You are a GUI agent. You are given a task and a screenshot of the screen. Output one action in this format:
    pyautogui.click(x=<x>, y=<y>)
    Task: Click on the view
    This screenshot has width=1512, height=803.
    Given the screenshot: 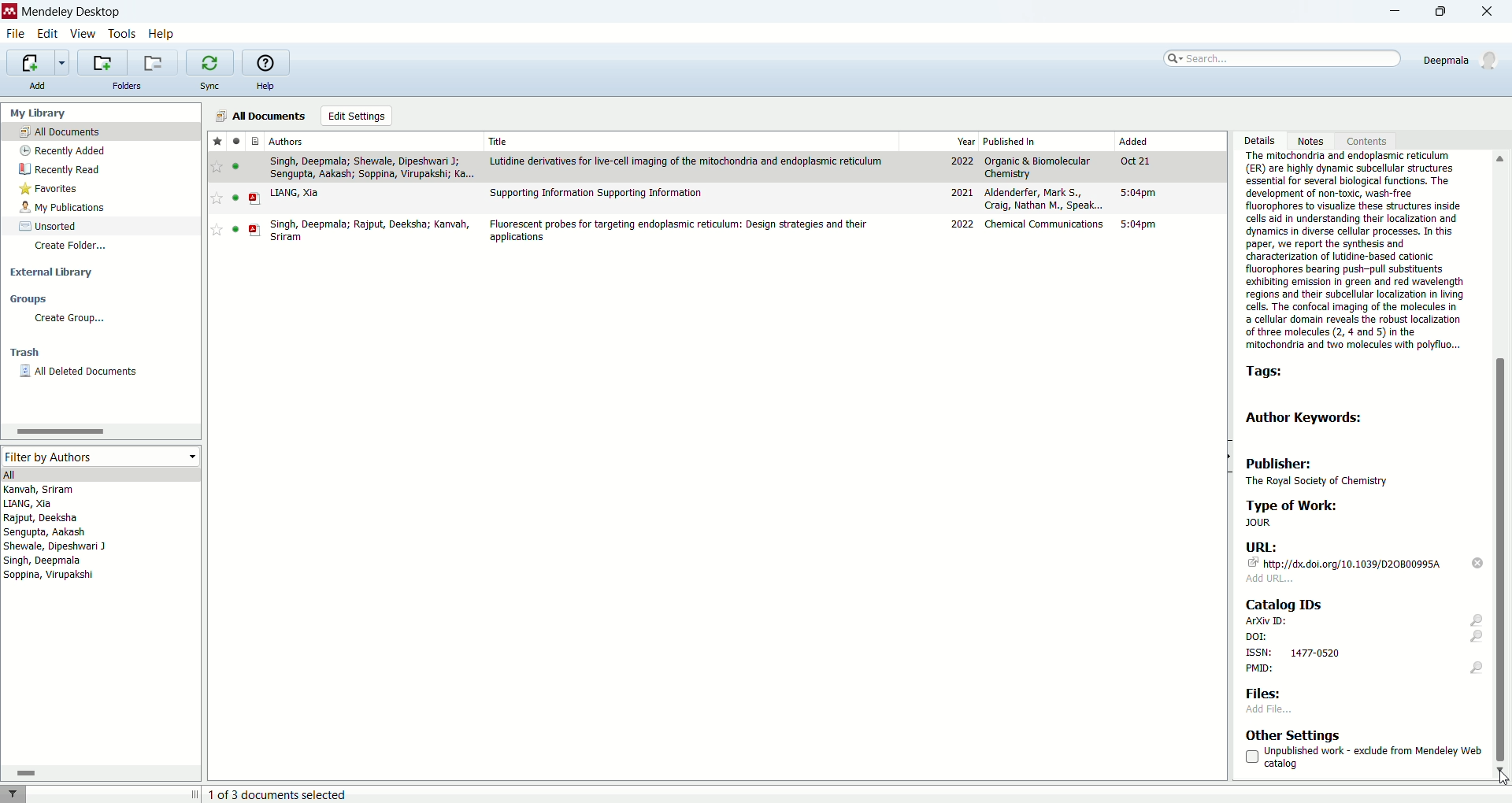 What is the action you would take?
    pyautogui.click(x=81, y=34)
    